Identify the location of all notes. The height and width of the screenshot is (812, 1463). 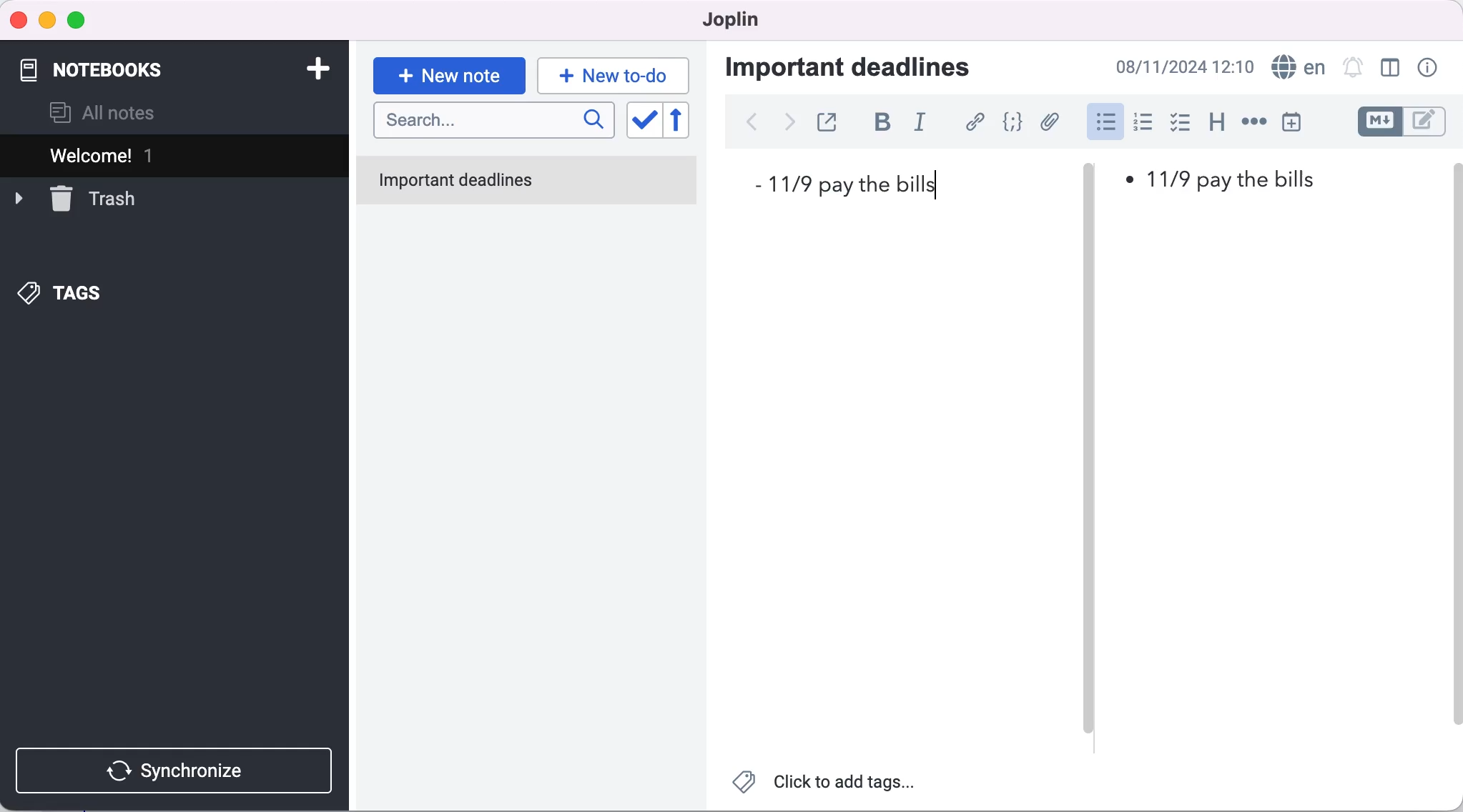
(119, 111).